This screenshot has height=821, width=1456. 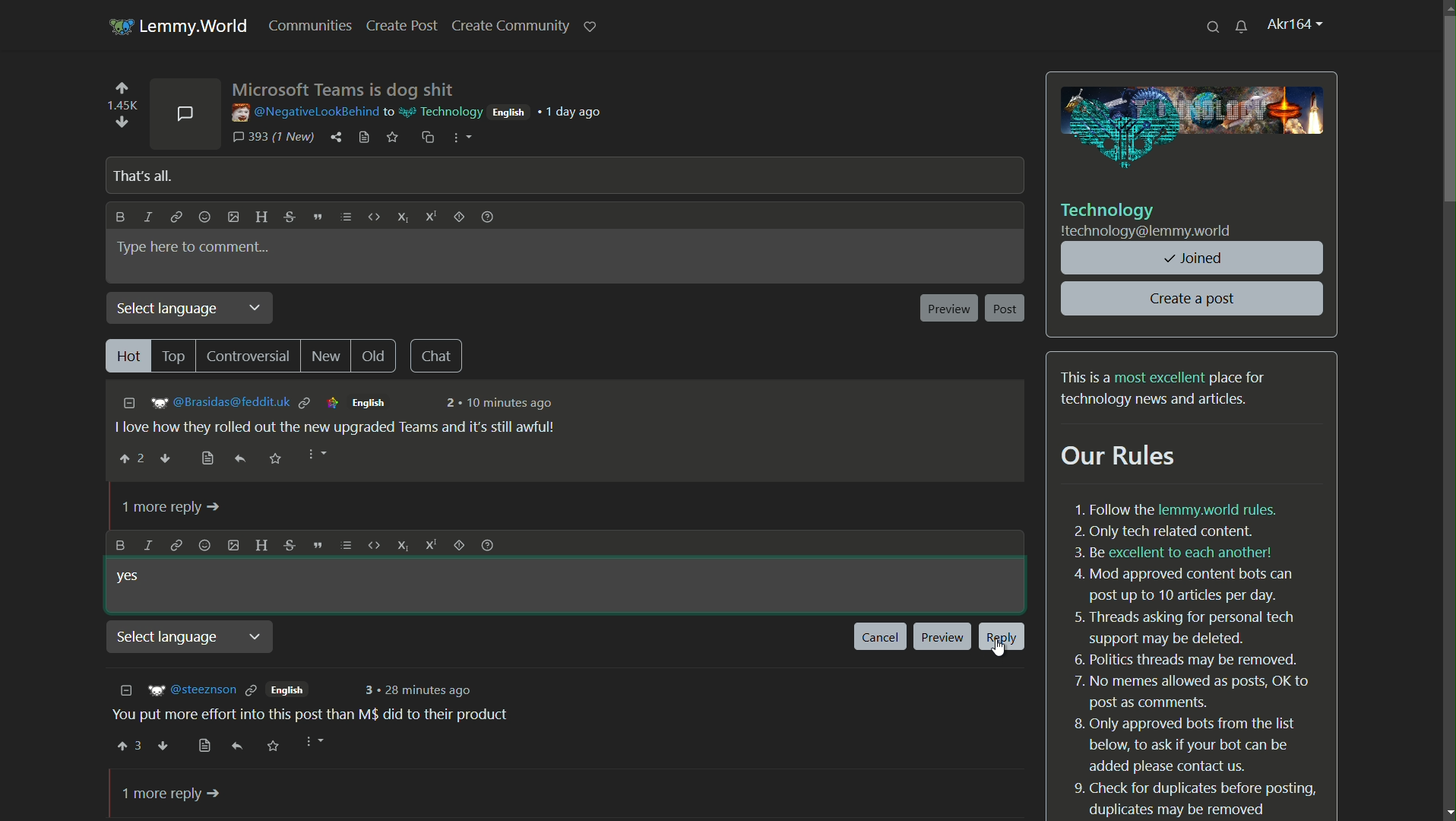 What do you see at coordinates (1120, 457) in the screenshot?
I see `our rules` at bounding box center [1120, 457].